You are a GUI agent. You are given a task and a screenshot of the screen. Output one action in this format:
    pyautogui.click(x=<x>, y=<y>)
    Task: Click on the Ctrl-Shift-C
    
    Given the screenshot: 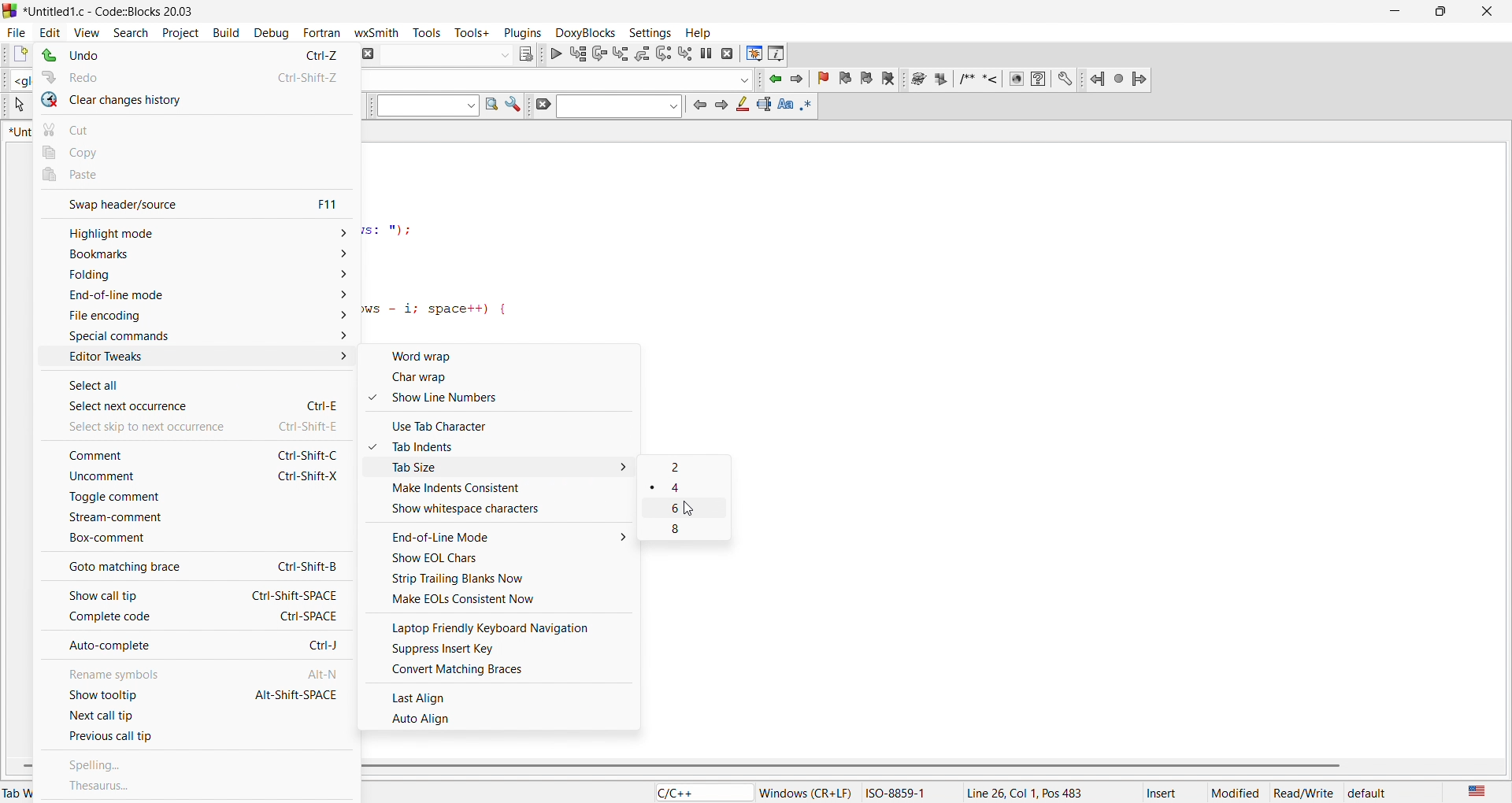 What is the action you would take?
    pyautogui.click(x=307, y=456)
    